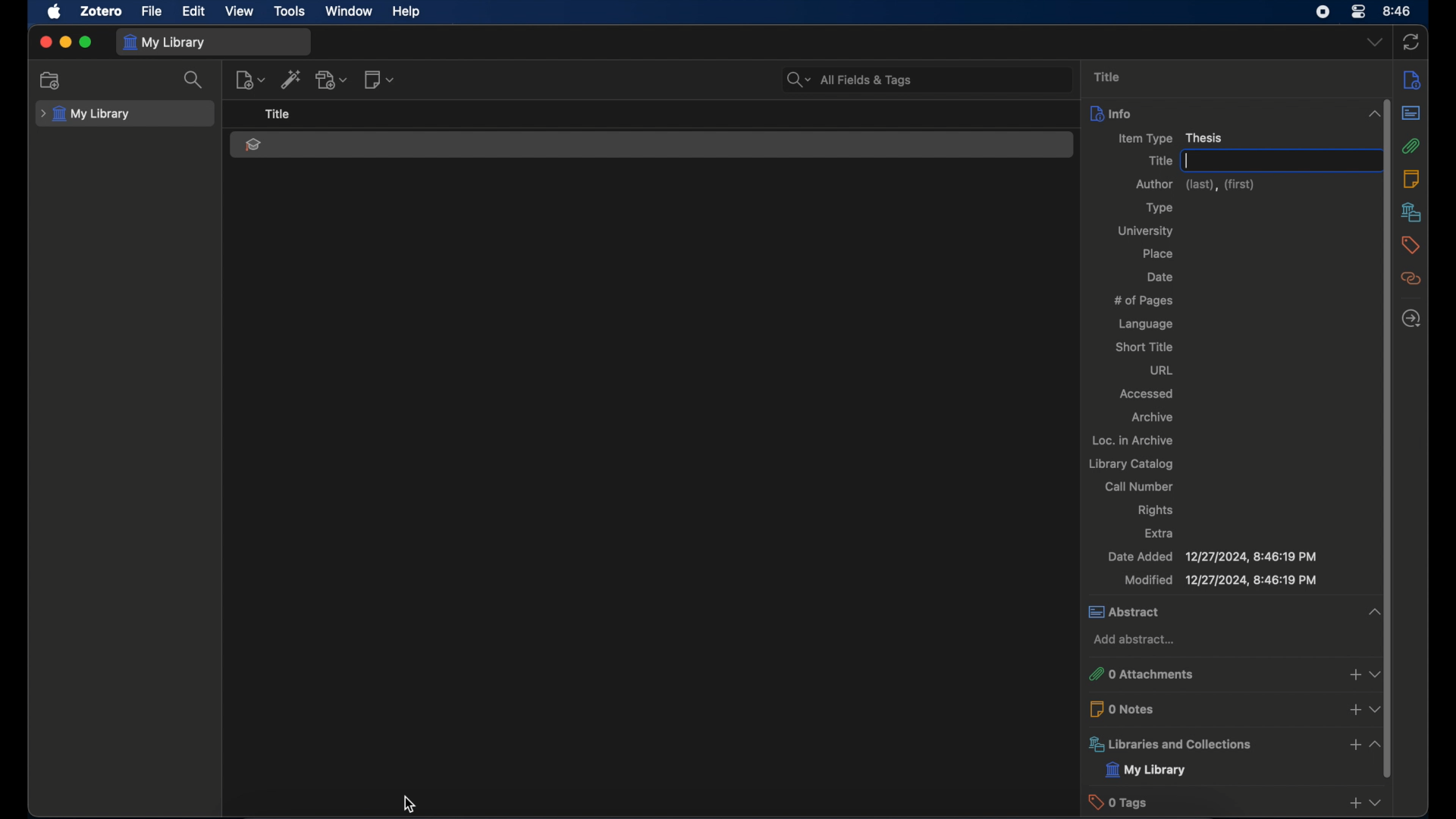 The width and height of the screenshot is (1456, 819). What do you see at coordinates (1398, 10) in the screenshot?
I see `time` at bounding box center [1398, 10].